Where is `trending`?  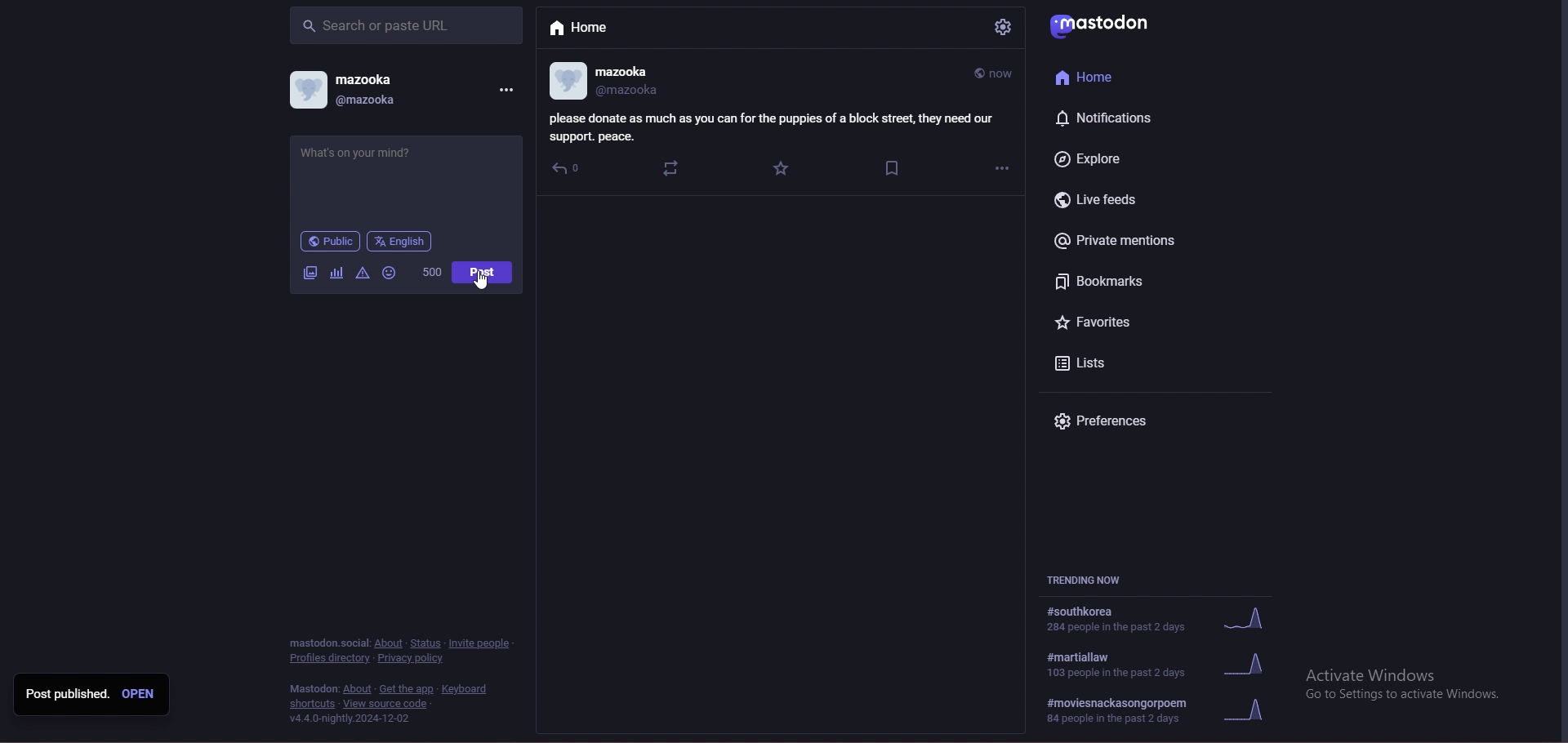
trending is located at coordinates (1156, 666).